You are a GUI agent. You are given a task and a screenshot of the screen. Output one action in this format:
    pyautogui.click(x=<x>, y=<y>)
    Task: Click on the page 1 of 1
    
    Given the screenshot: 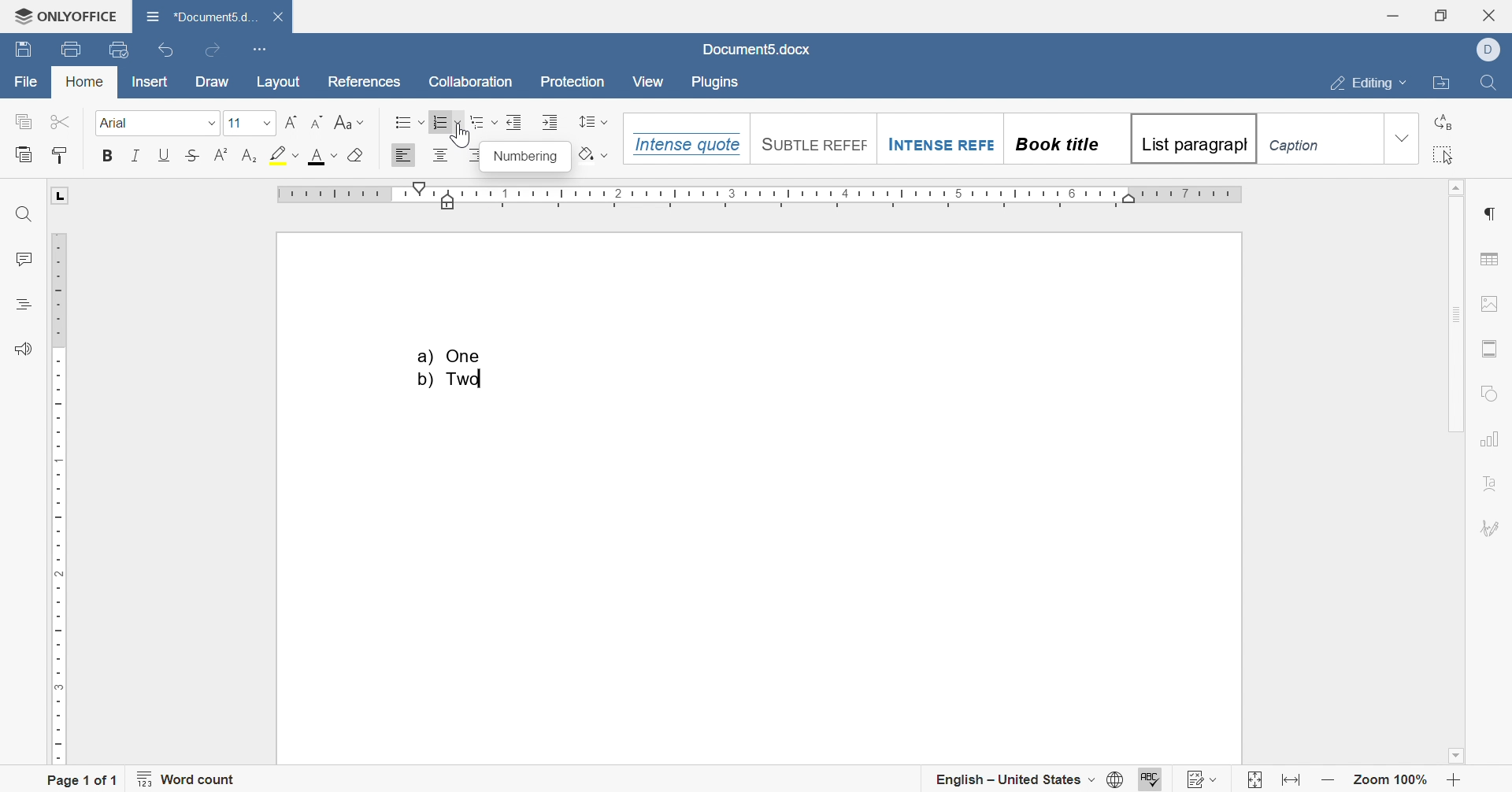 What is the action you would take?
    pyautogui.click(x=83, y=780)
    